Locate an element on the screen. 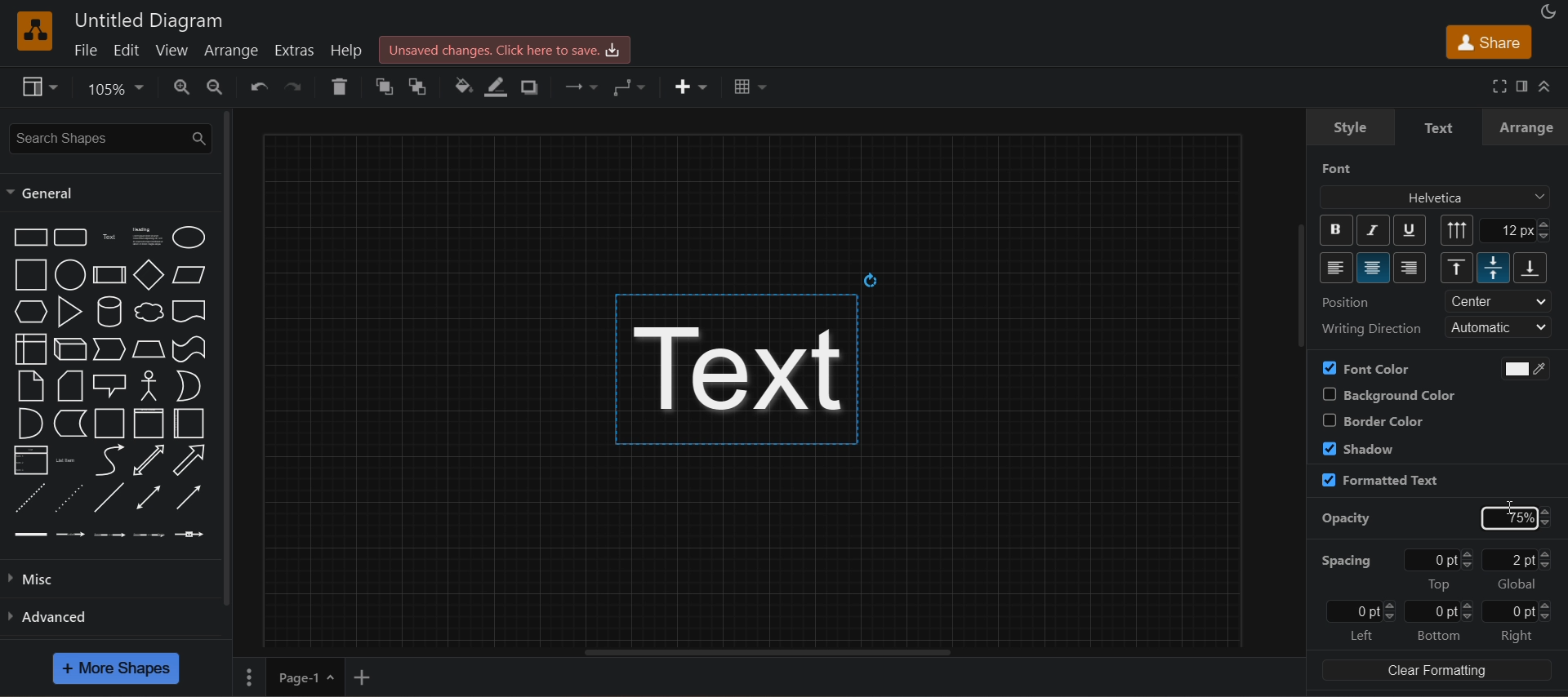 This screenshot has height=697, width=1568. 0 pt is located at coordinates (1519, 611).